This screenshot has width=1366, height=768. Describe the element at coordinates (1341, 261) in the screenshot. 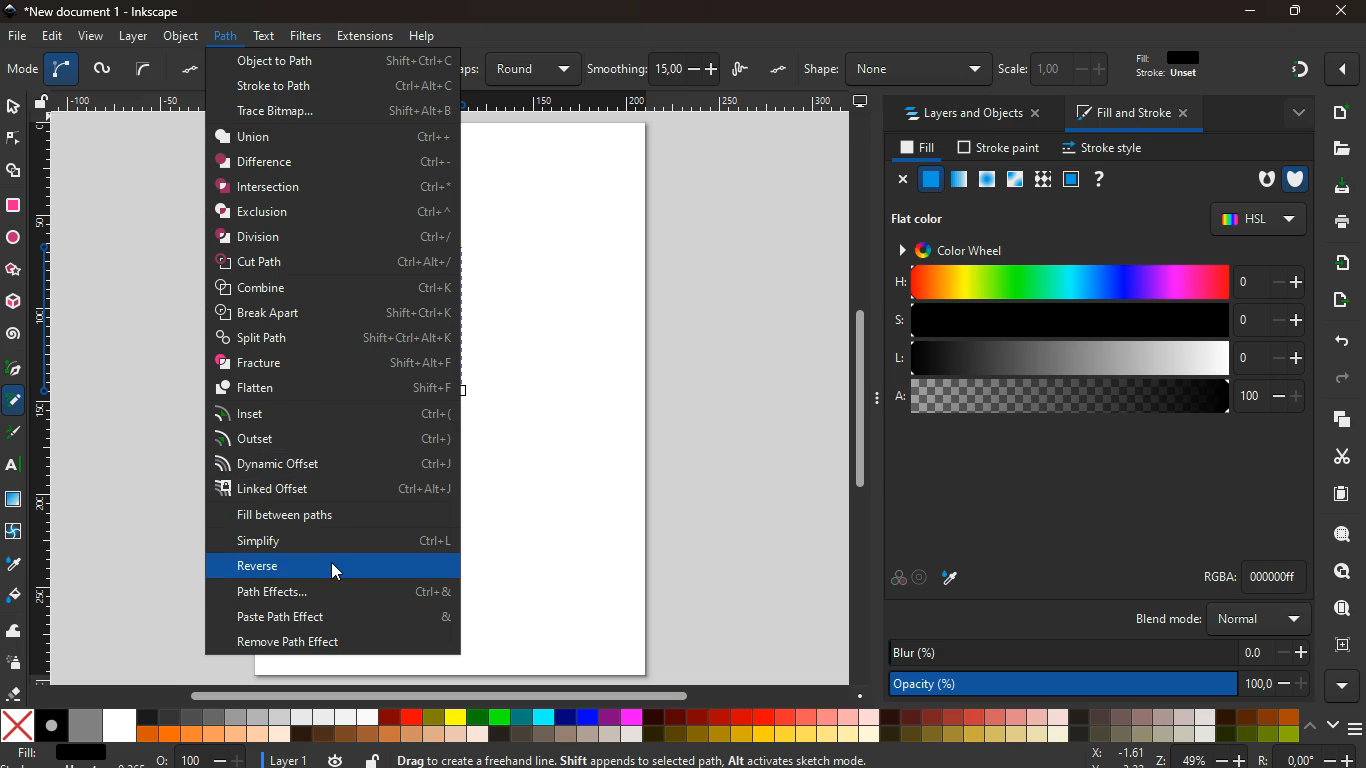

I see `receive` at that location.